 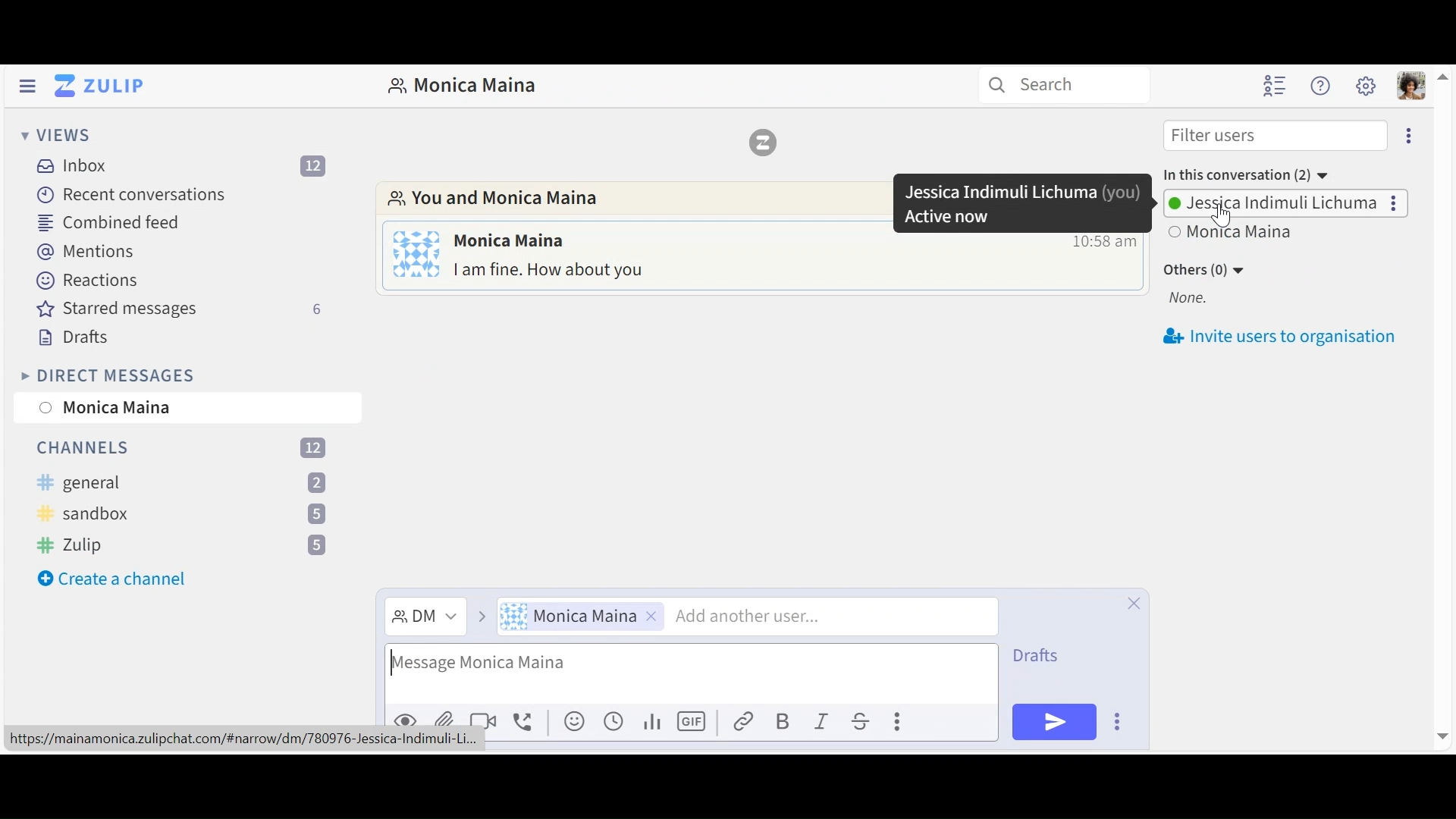 What do you see at coordinates (135, 196) in the screenshot?
I see `Recent Conversations` at bounding box center [135, 196].